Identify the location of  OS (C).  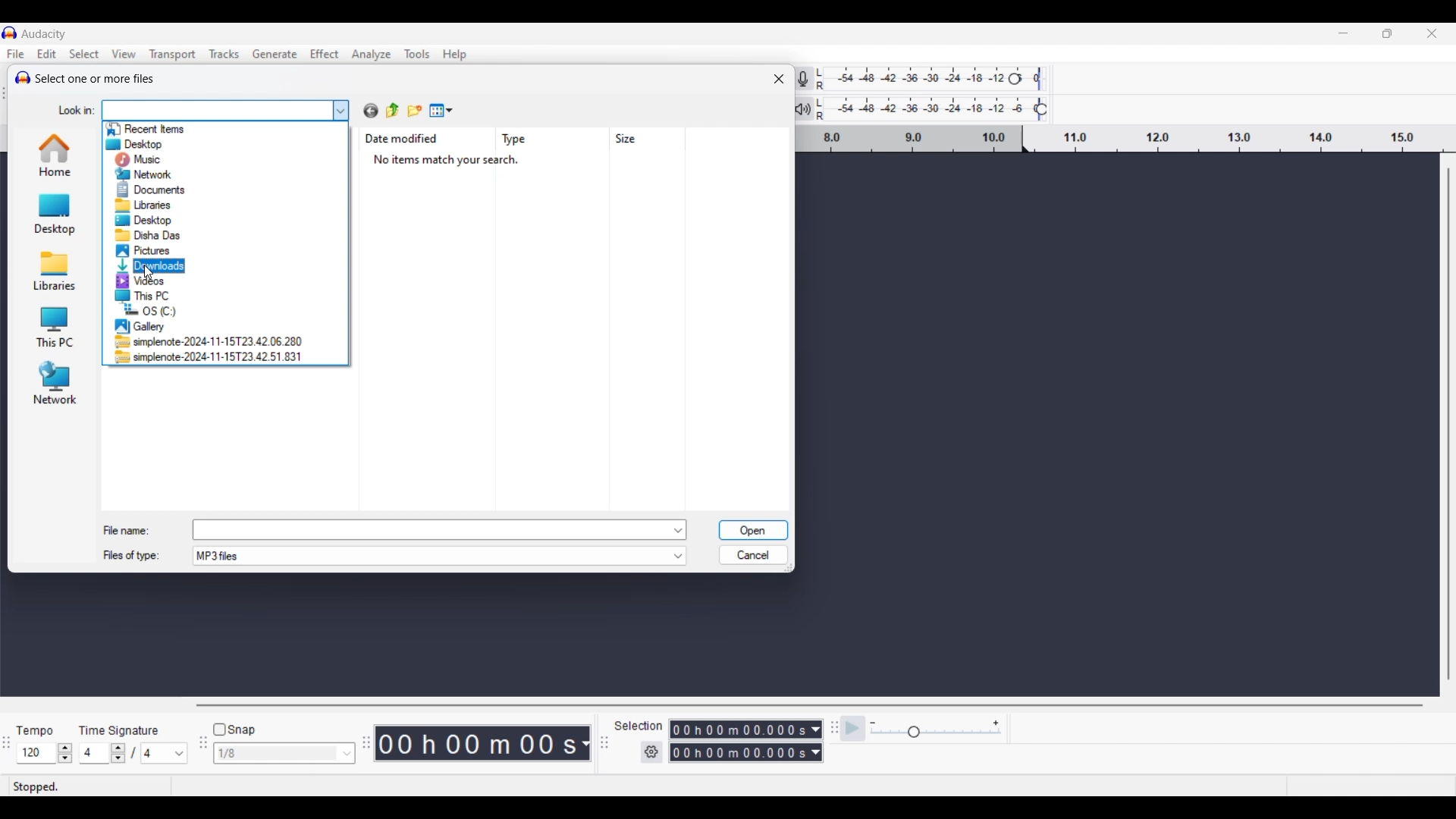
(150, 309).